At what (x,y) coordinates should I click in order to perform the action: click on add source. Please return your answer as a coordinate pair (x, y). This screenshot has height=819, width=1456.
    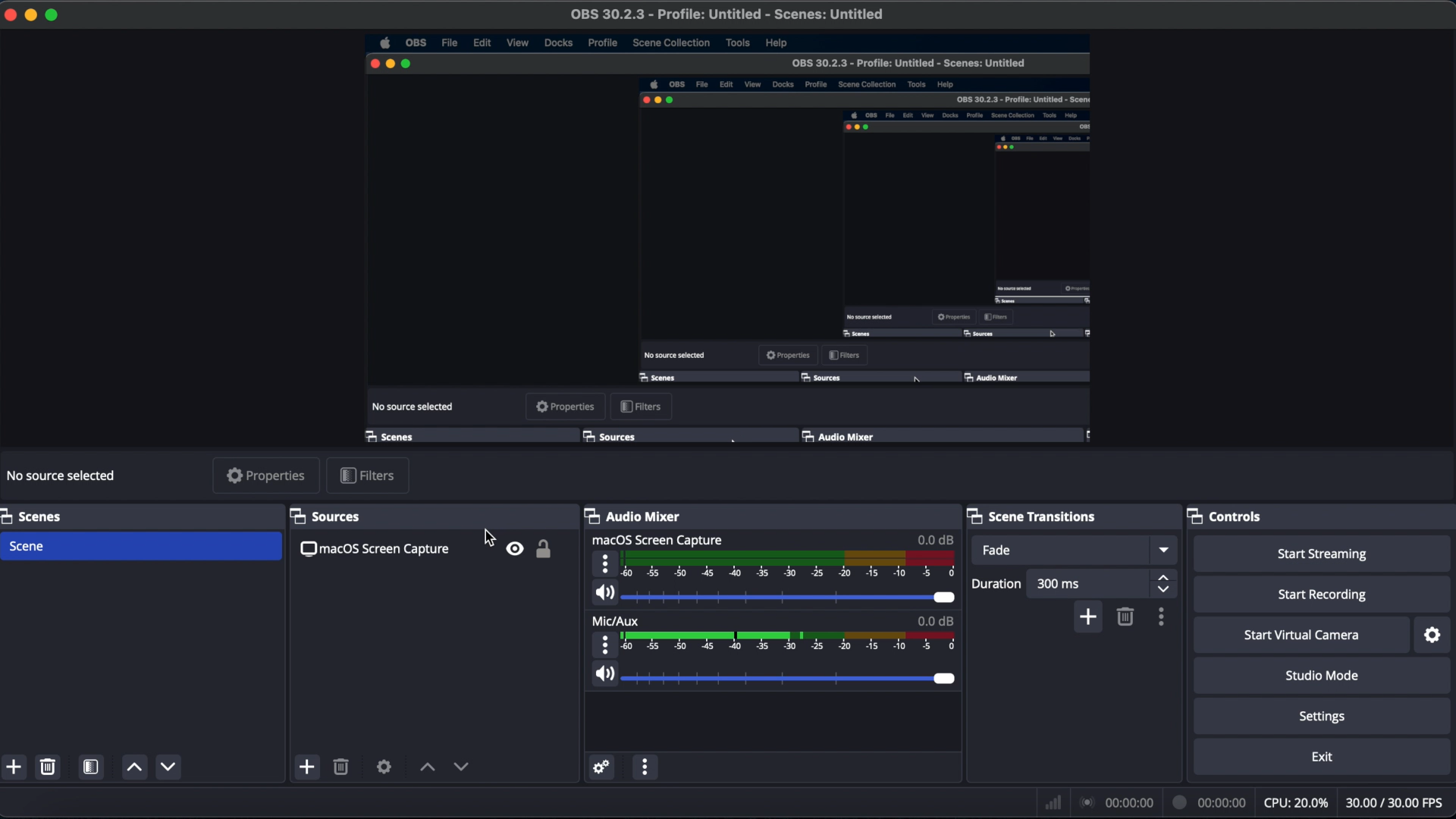
    Looking at the image, I should click on (306, 767).